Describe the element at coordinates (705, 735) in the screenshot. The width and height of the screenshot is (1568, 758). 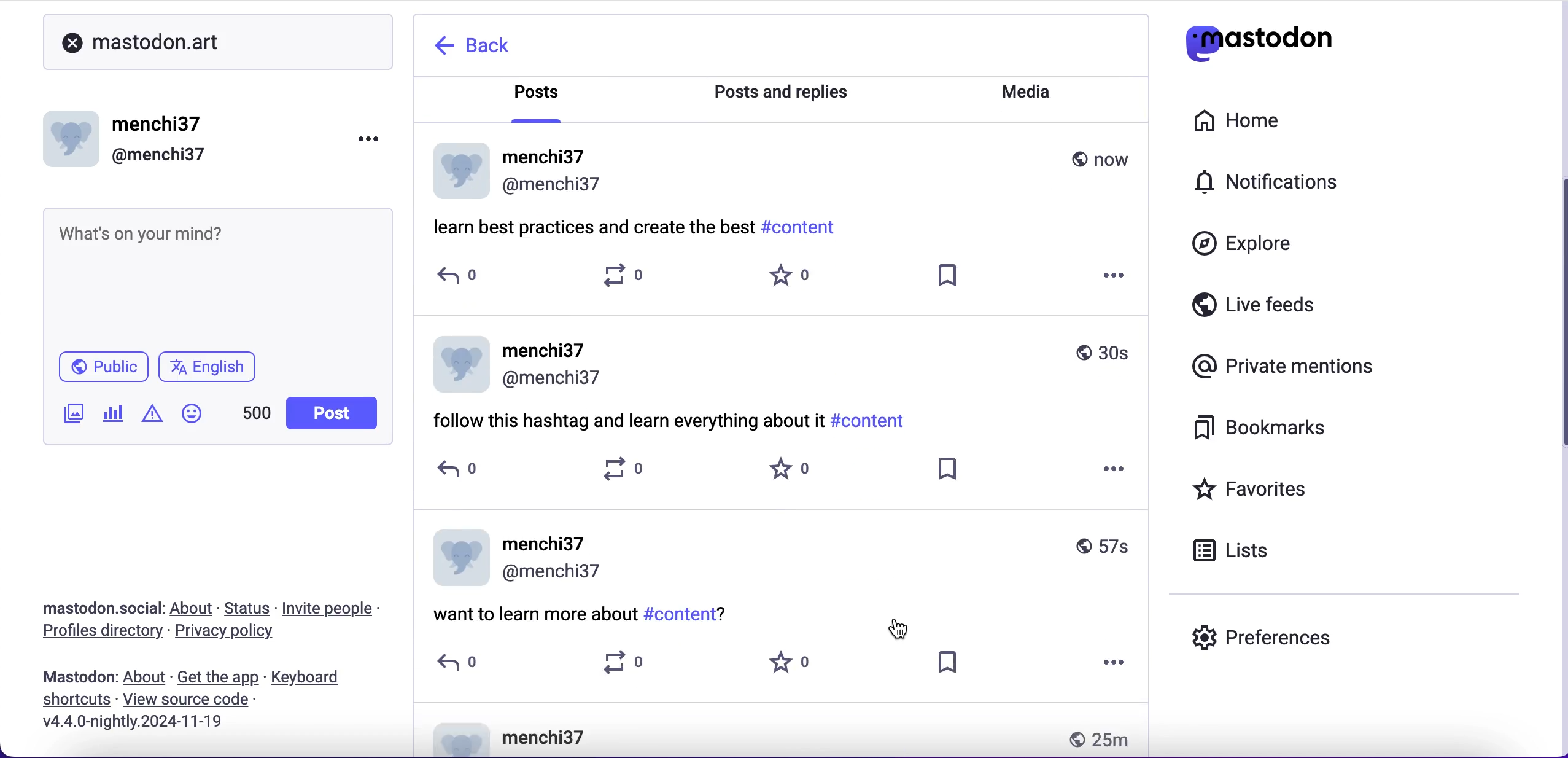
I see `post` at that location.